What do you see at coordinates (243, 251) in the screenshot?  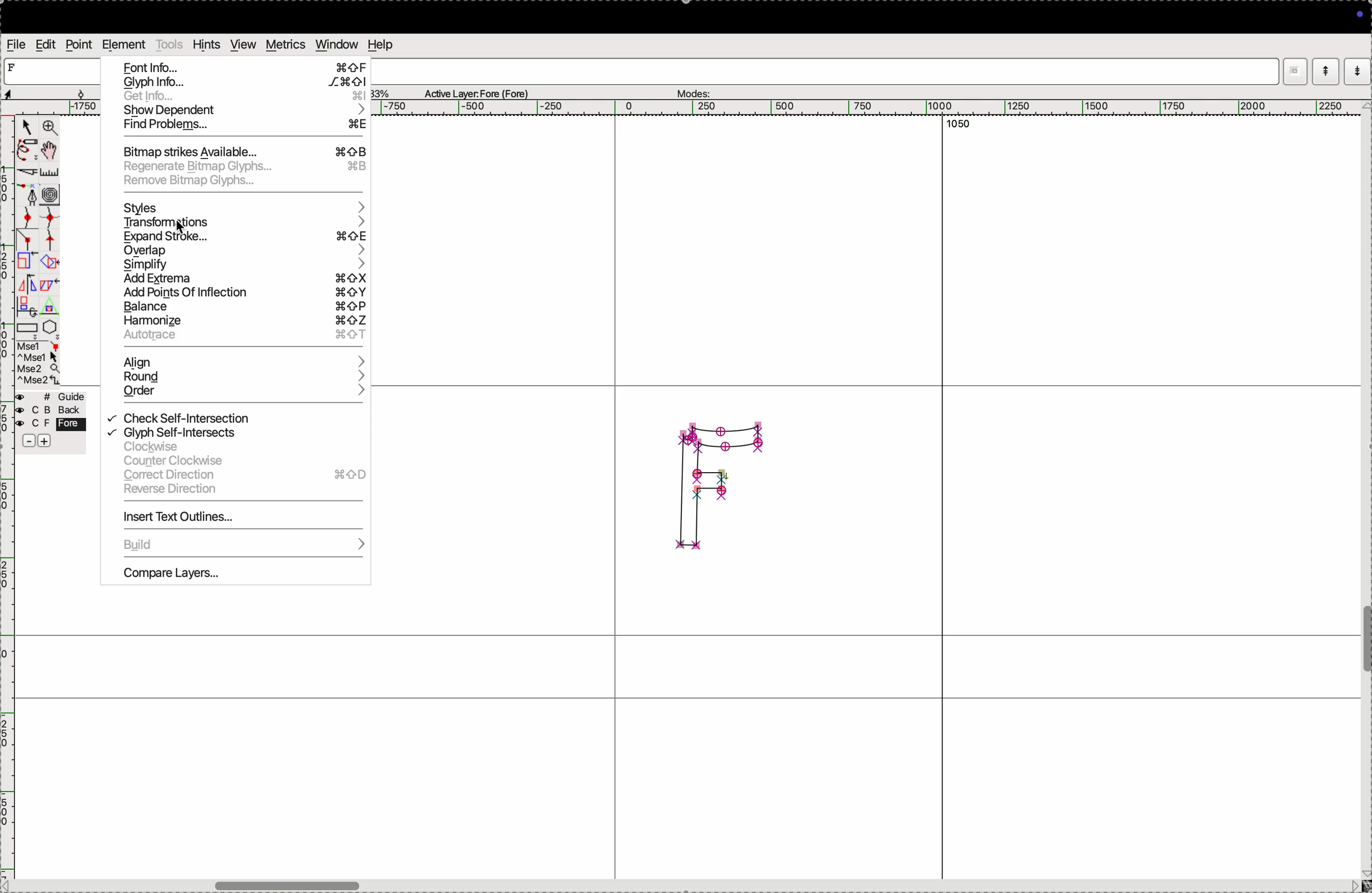 I see `overlap` at bounding box center [243, 251].